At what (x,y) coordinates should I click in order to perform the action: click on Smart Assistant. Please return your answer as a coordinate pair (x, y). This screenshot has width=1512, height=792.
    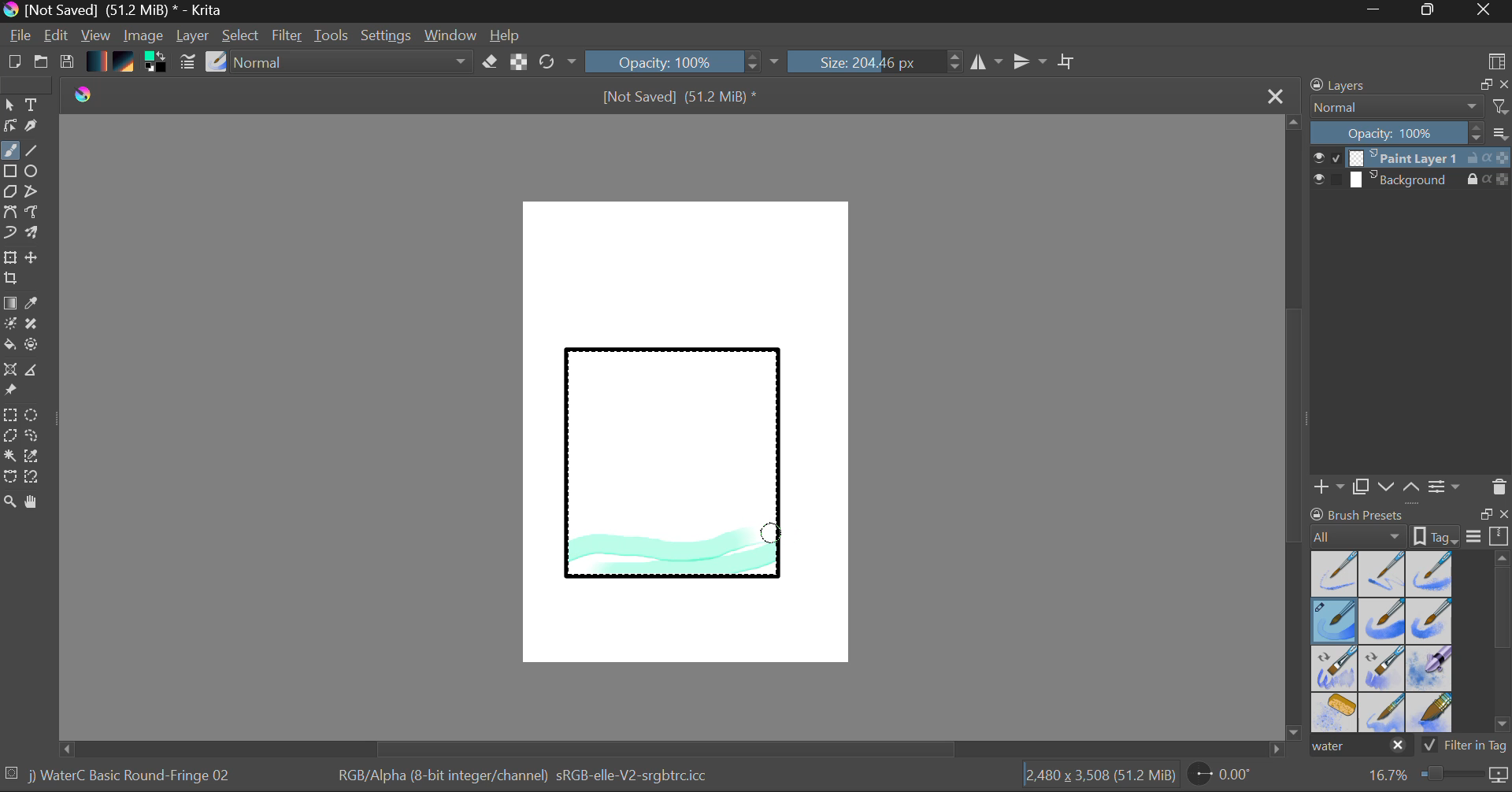
    Looking at the image, I should click on (9, 372).